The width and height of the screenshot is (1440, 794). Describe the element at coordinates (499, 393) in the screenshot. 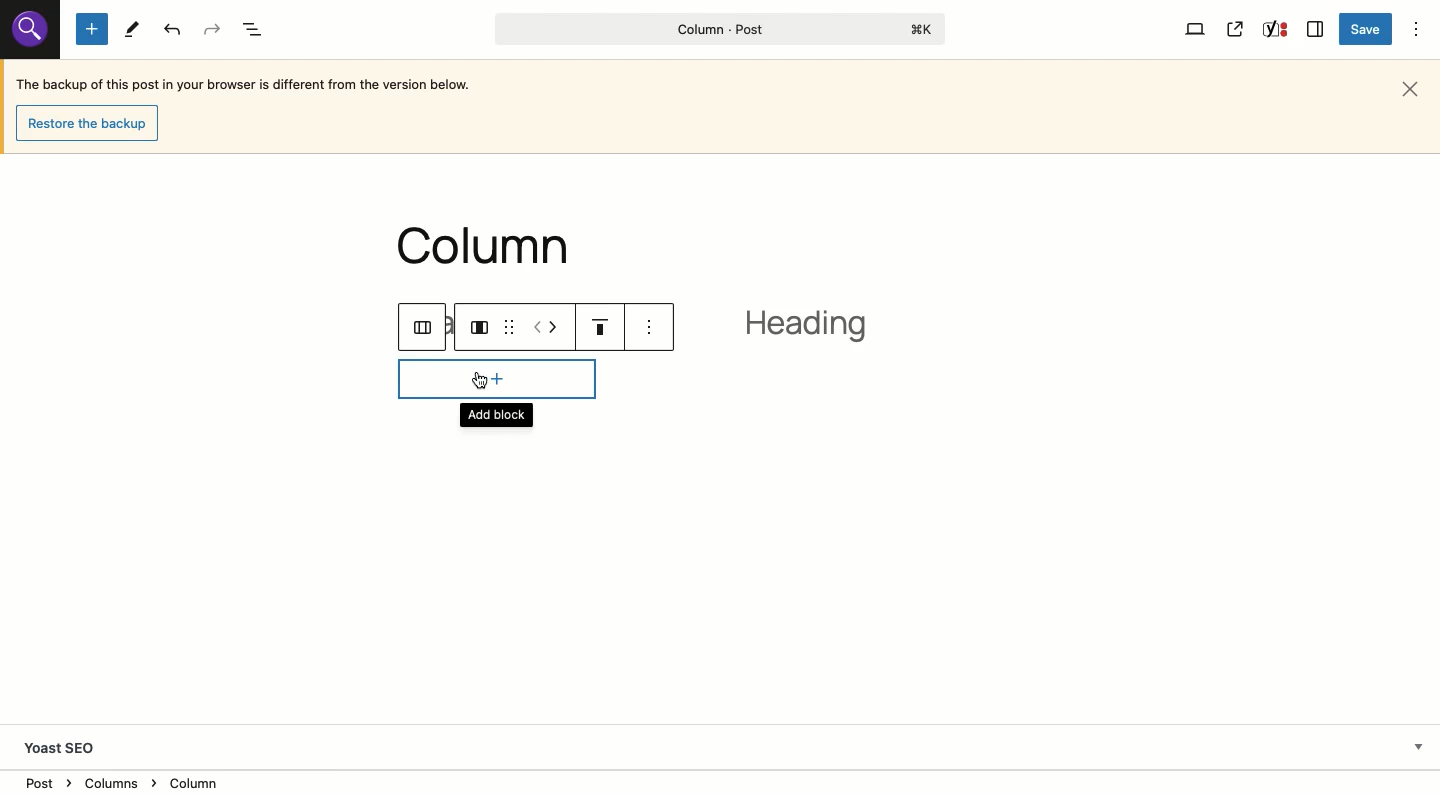

I see `Add block` at that location.